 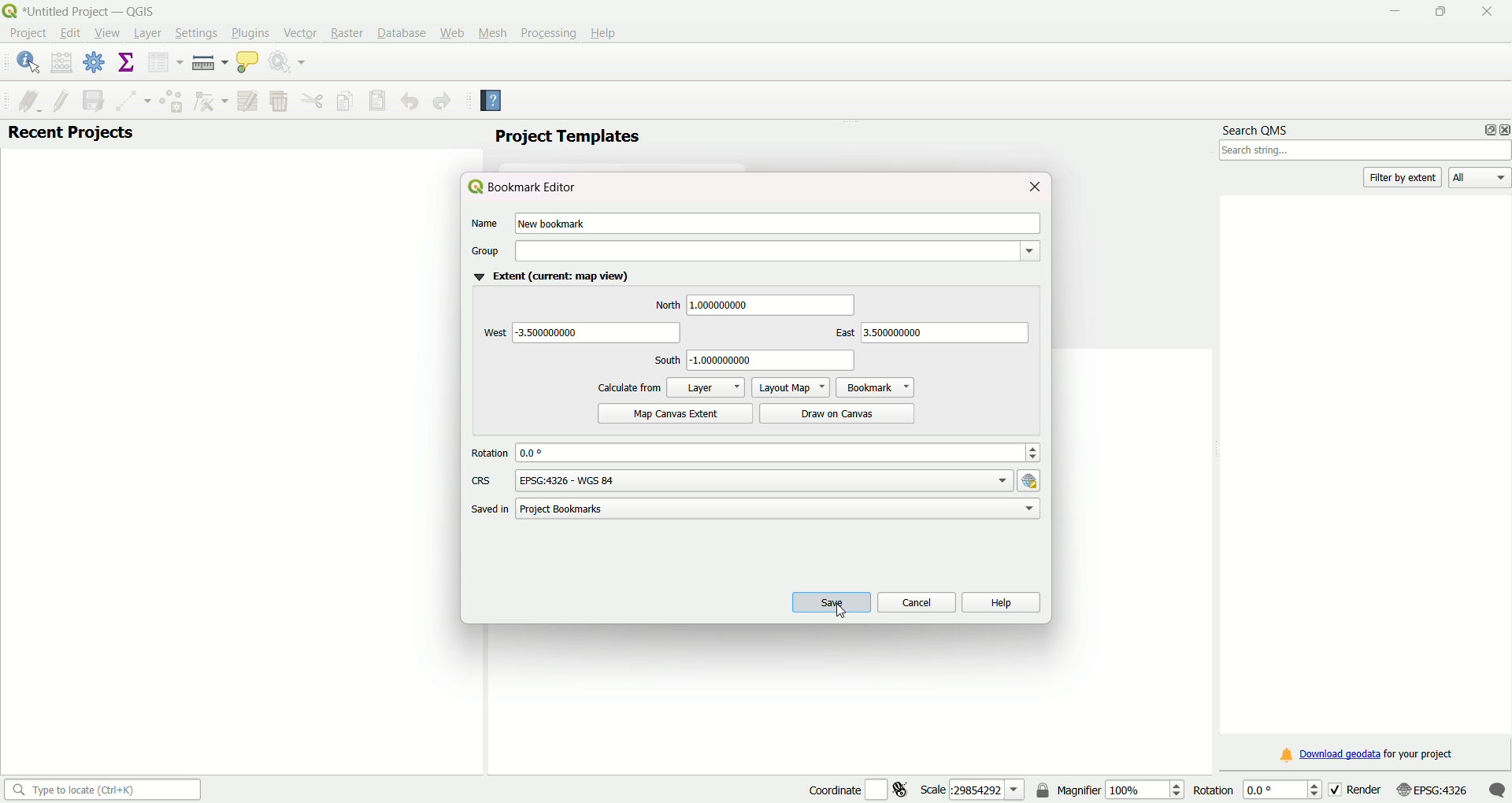 What do you see at coordinates (278, 102) in the screenshot?
I see `delete selected` at bounding box center [278, 102].